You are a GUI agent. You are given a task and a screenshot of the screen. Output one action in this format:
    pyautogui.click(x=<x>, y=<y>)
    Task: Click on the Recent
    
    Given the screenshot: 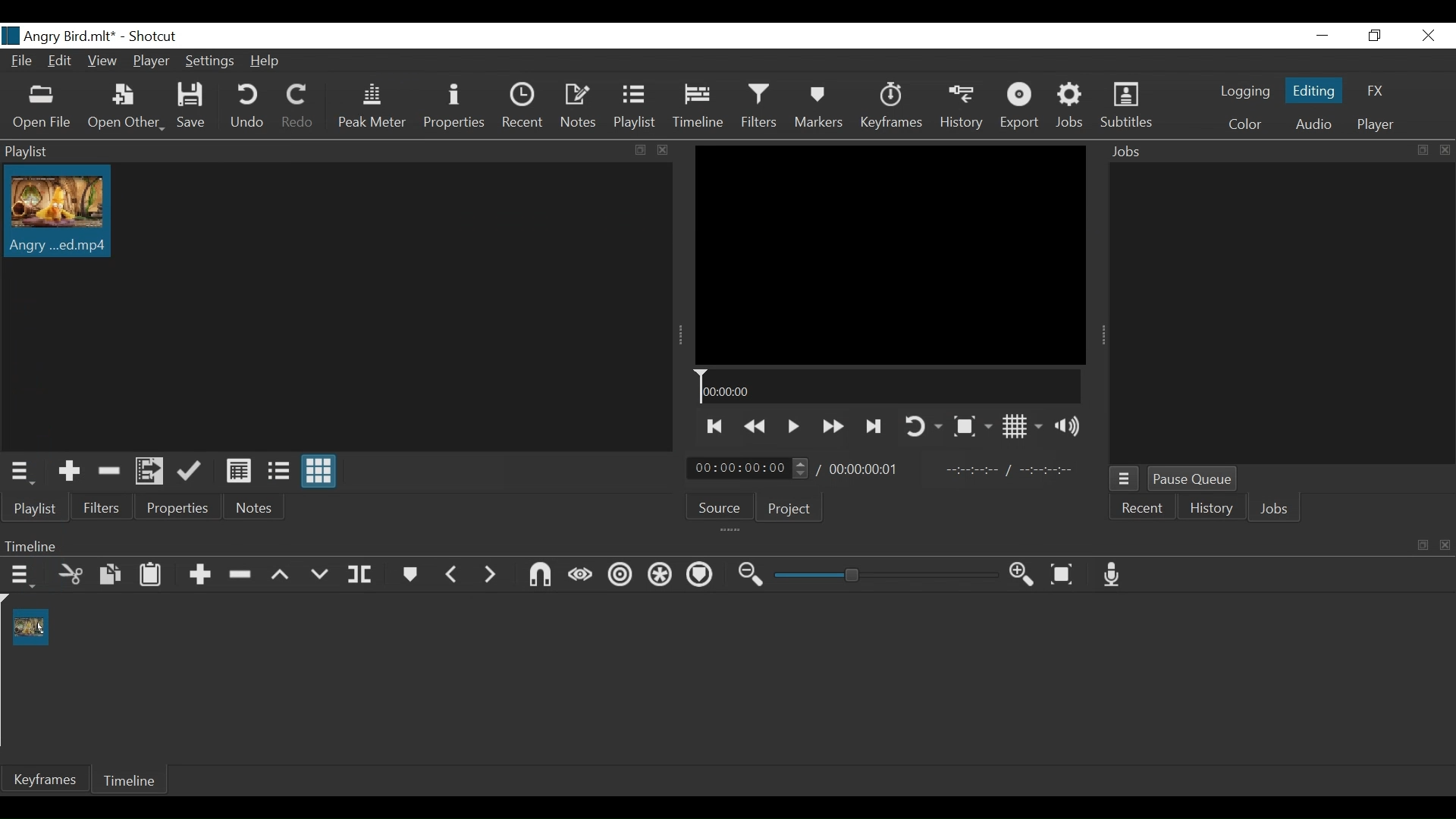 What is the action you would take?
    pyautogui.click(x=524, y=106)
    